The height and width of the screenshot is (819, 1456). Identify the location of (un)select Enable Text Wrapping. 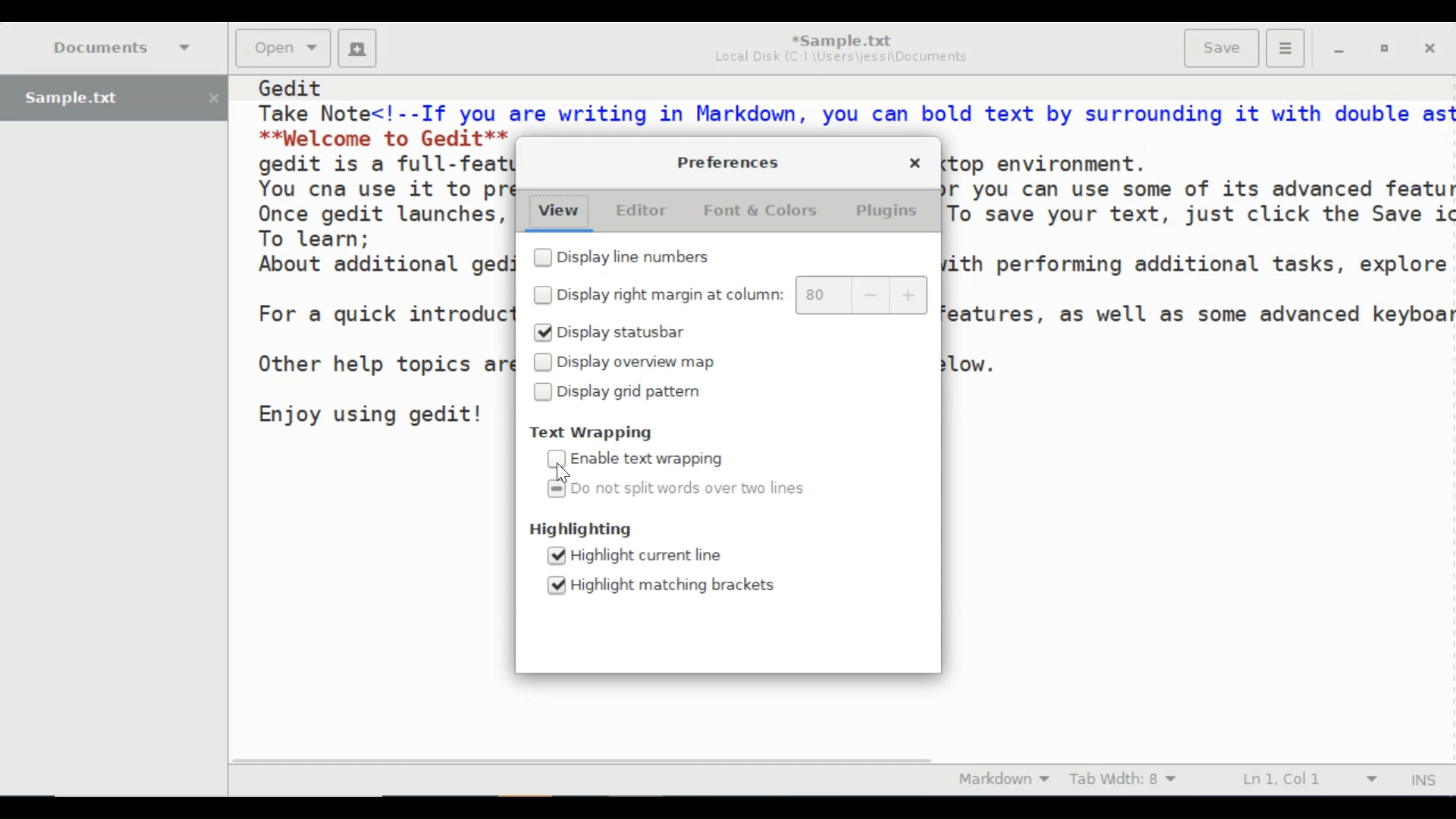
(642, 460).